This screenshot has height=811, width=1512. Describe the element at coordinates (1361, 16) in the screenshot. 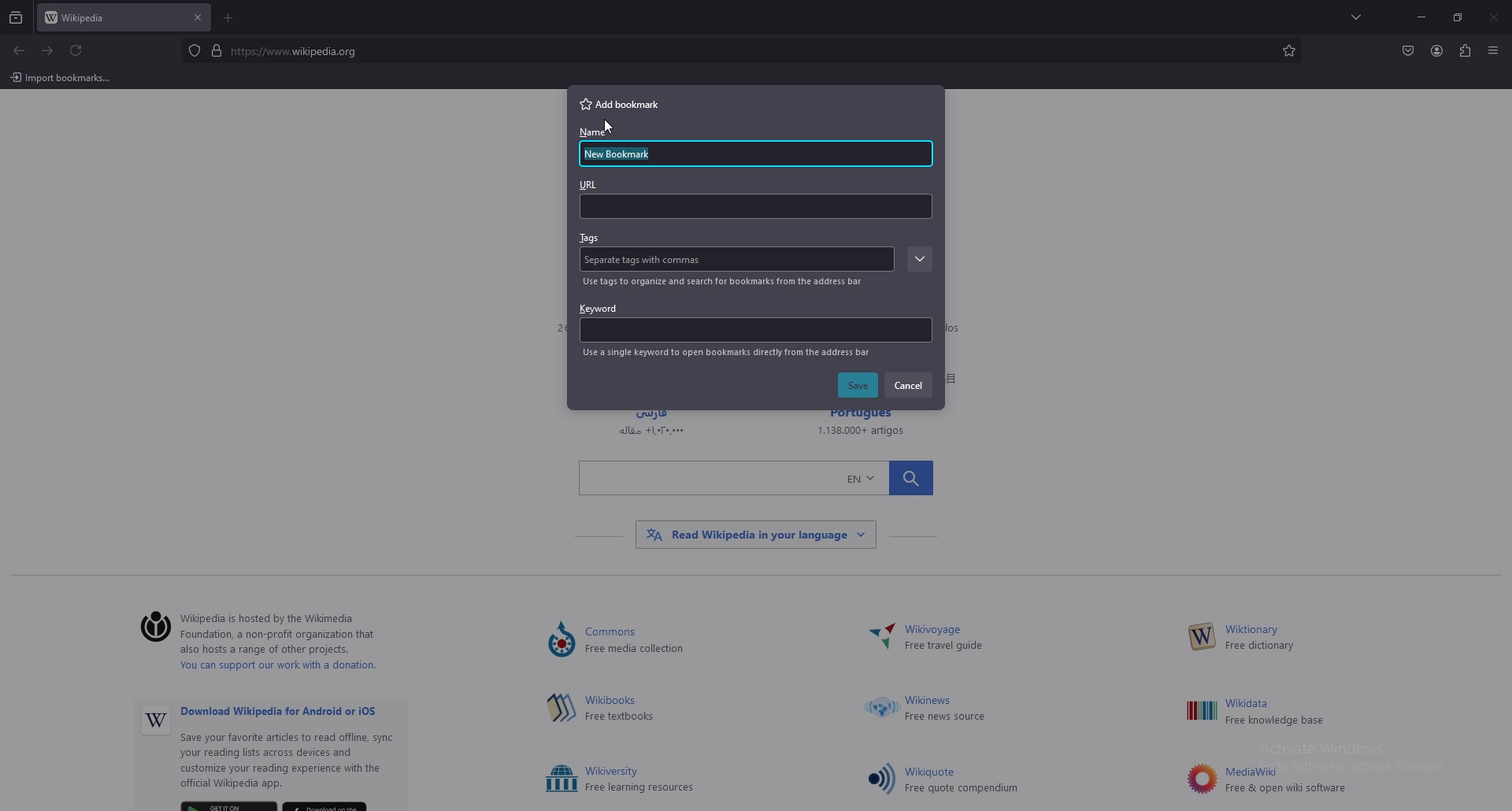

I see `list all tabs` at that location.